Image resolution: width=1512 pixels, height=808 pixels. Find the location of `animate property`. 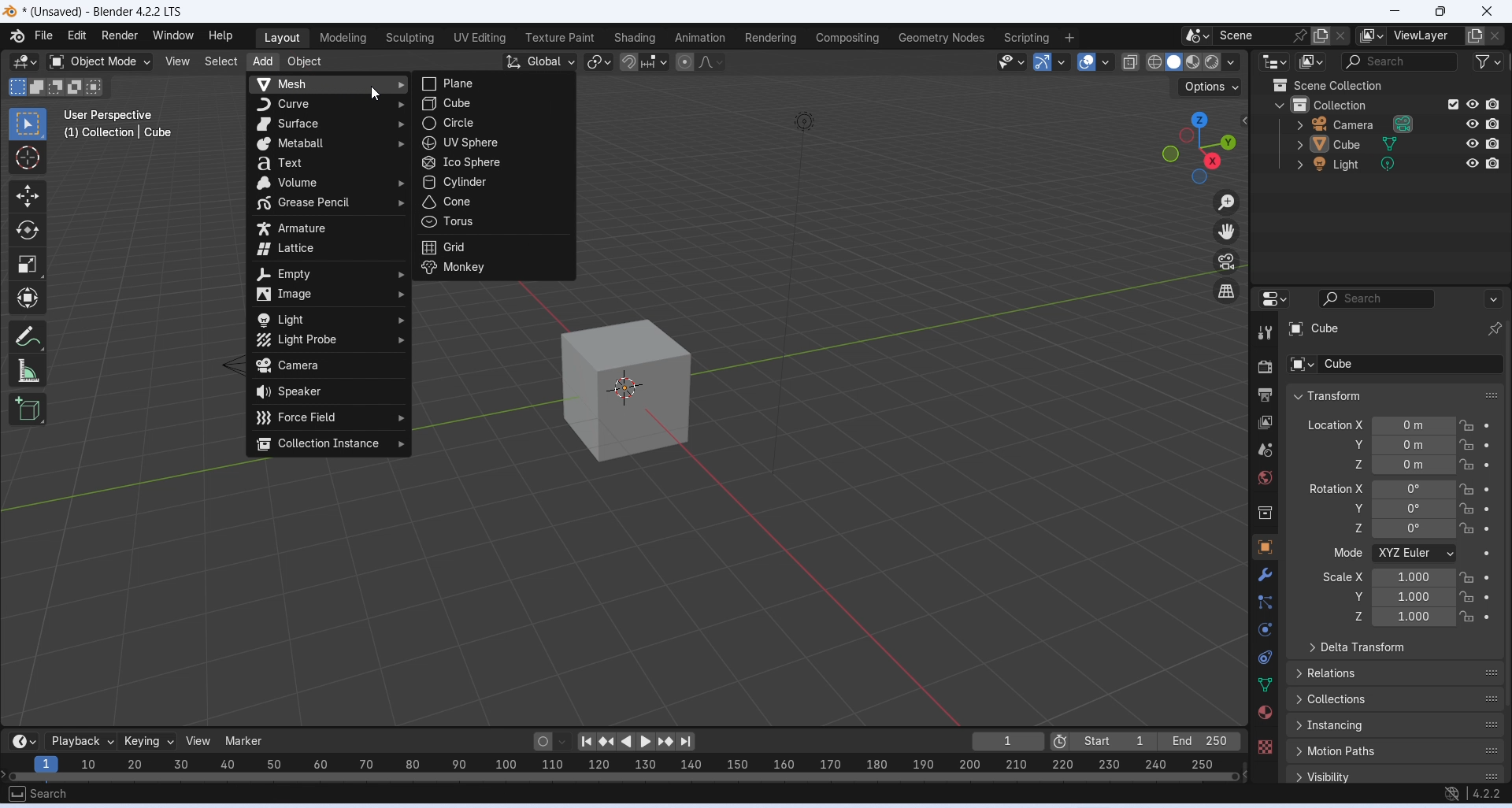

animate property is located at coordinates (1487, 510).